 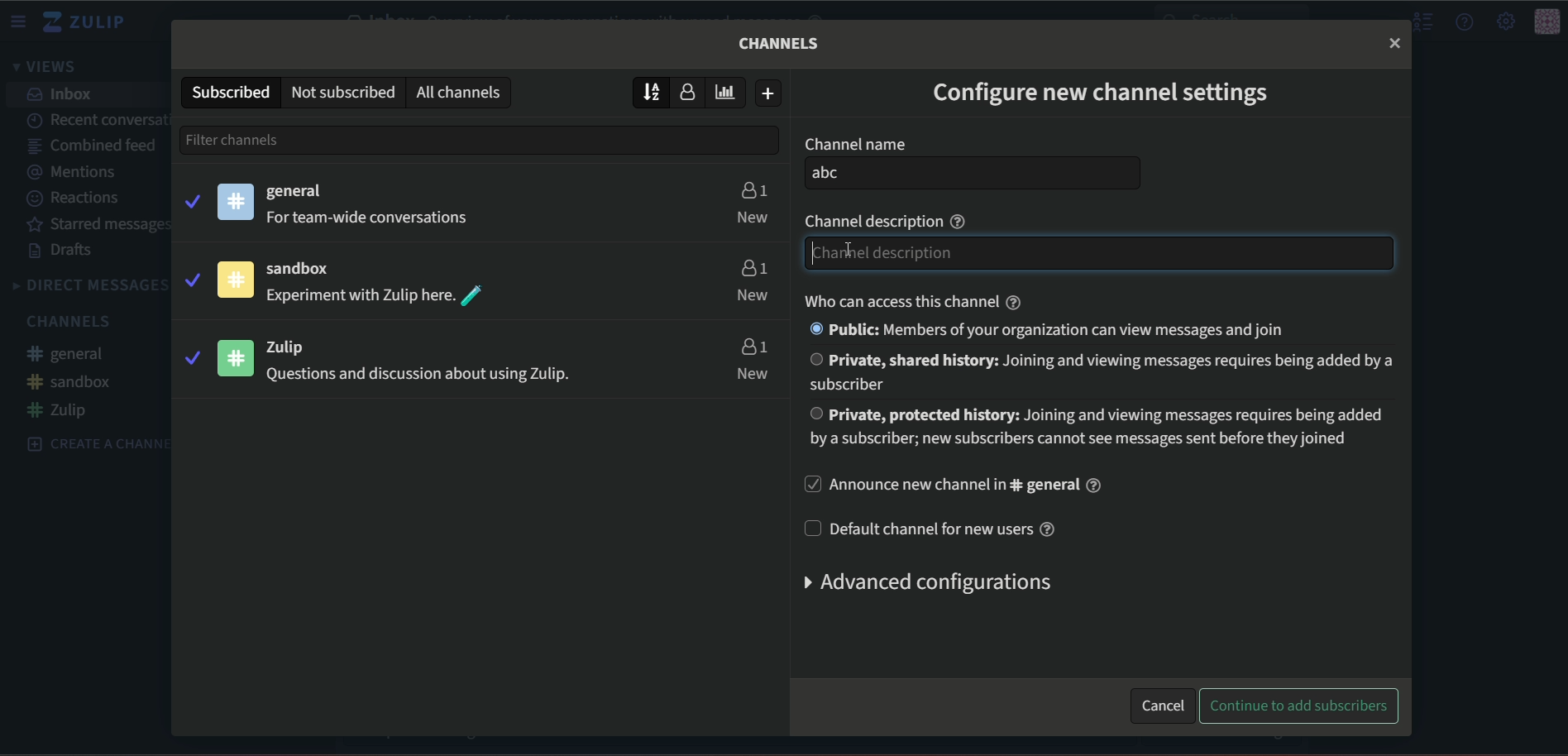 What do you see at coordinates (95, 146) in the screenshot?
I see `Combined feed` at bounding box center [95, 146].